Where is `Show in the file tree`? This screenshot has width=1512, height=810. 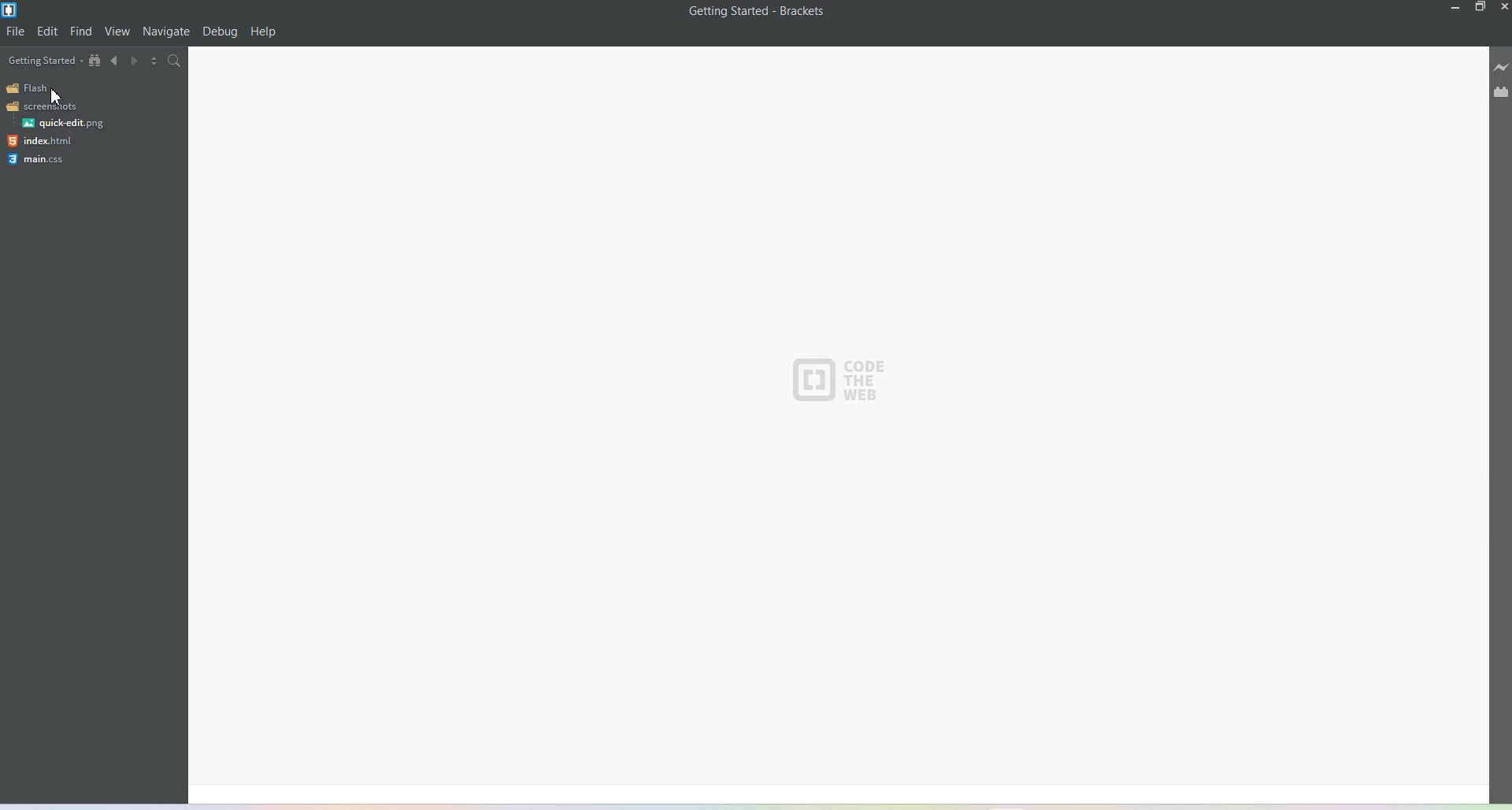 Show in the file tree is located at coordinates (95, 61).